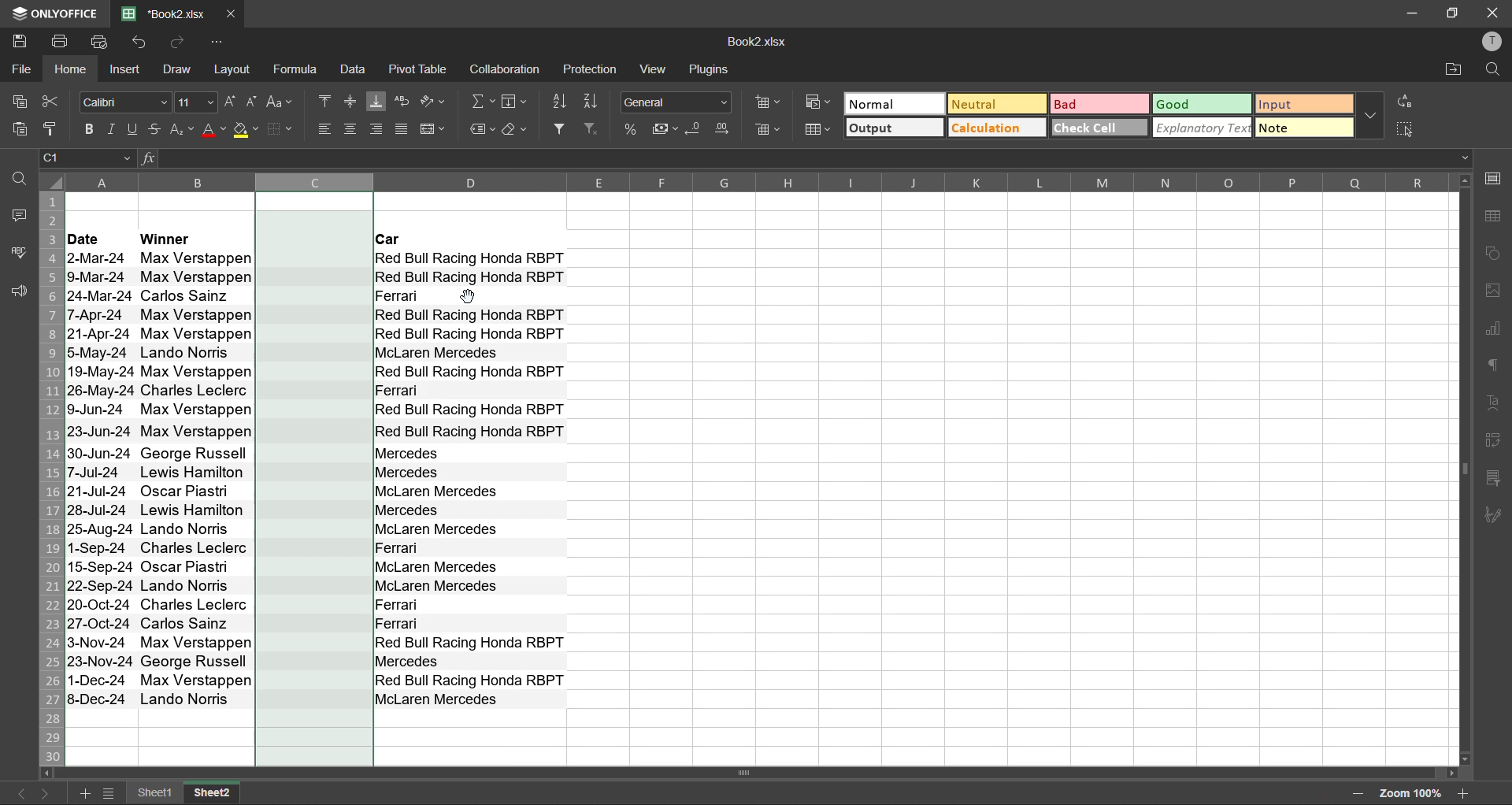 This screenshot has width=1512, height=805. Describe the element at coordinates (1490, 12) in the screenshot. I see `close` at that location.